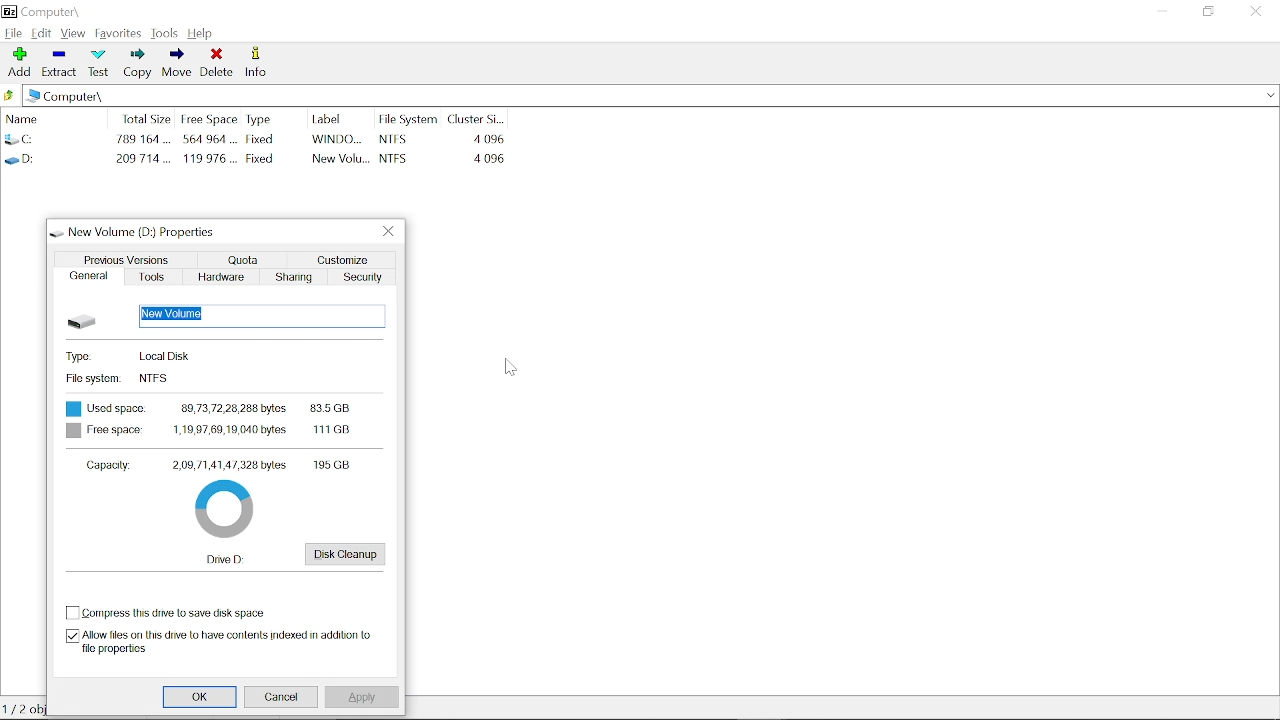  What do you see at coordinates (122, 260) in the screenshot?
I see `previous versions` at bounding box center [122, 260].